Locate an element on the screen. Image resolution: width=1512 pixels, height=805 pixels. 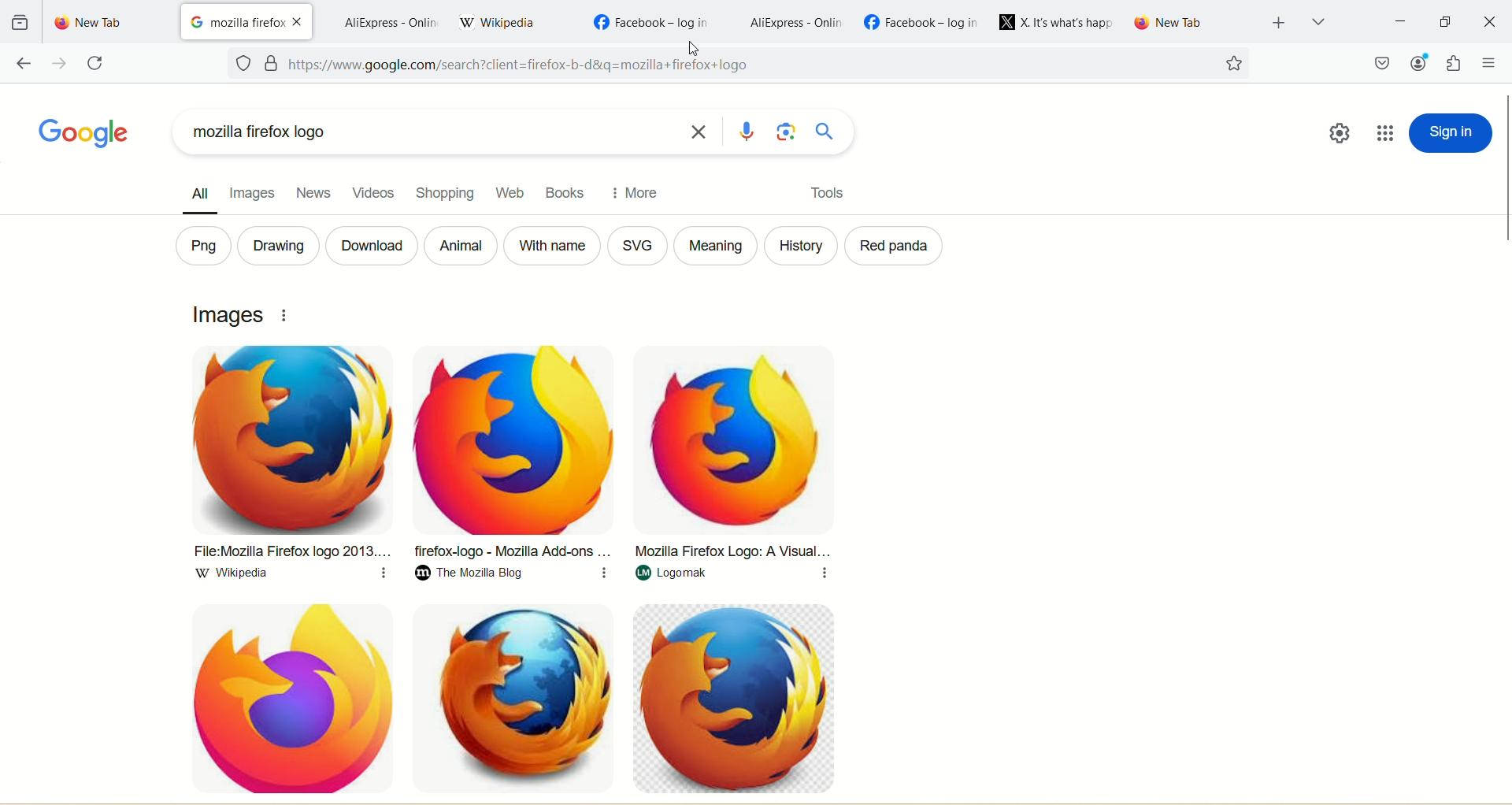
mozilla firefox logo is located at coordinates (424, 135).